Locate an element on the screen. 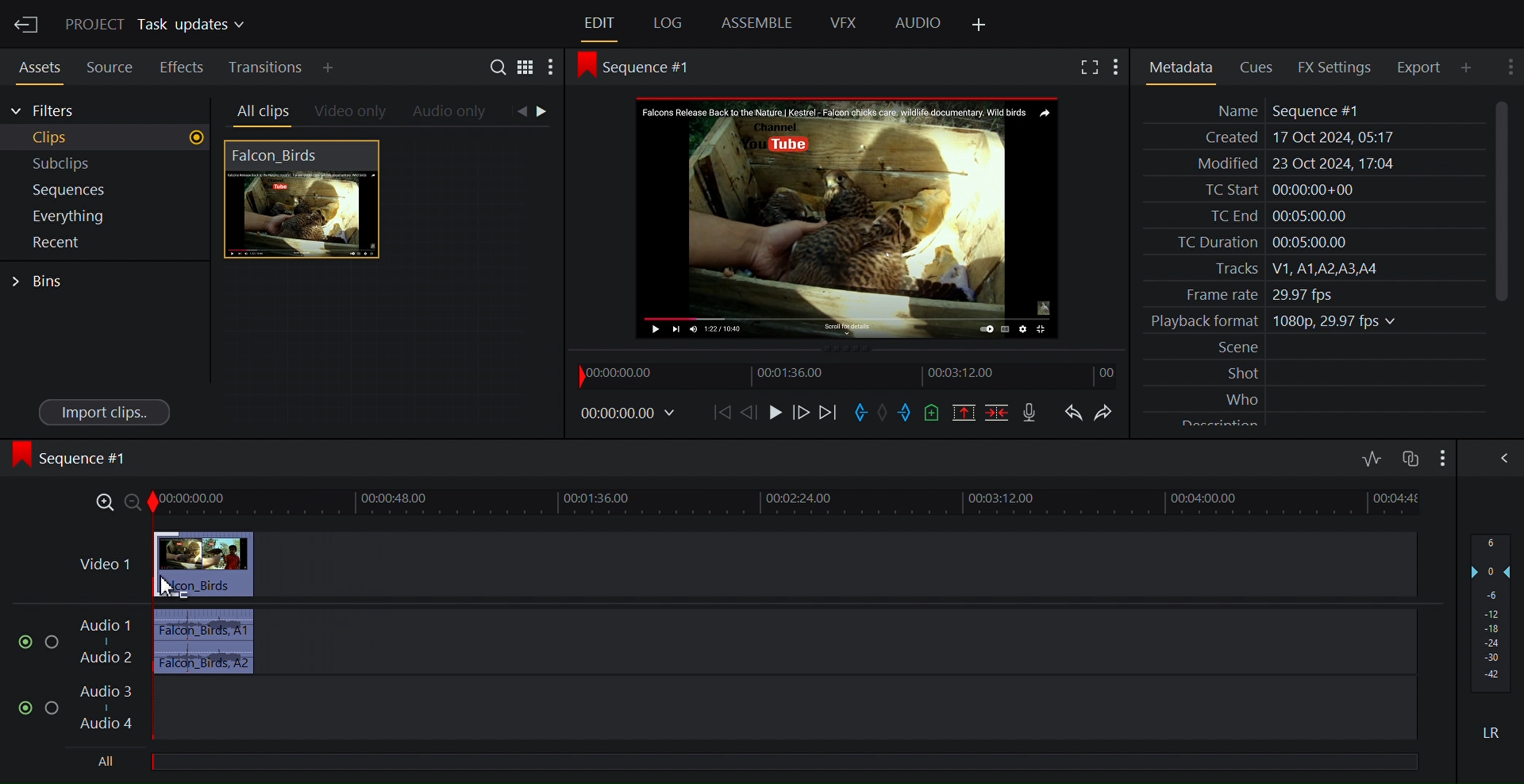 Image resolution: width=1524 pixels, height=784 pixels. Show Sequences in the current project is located at coordinates (106, 190).